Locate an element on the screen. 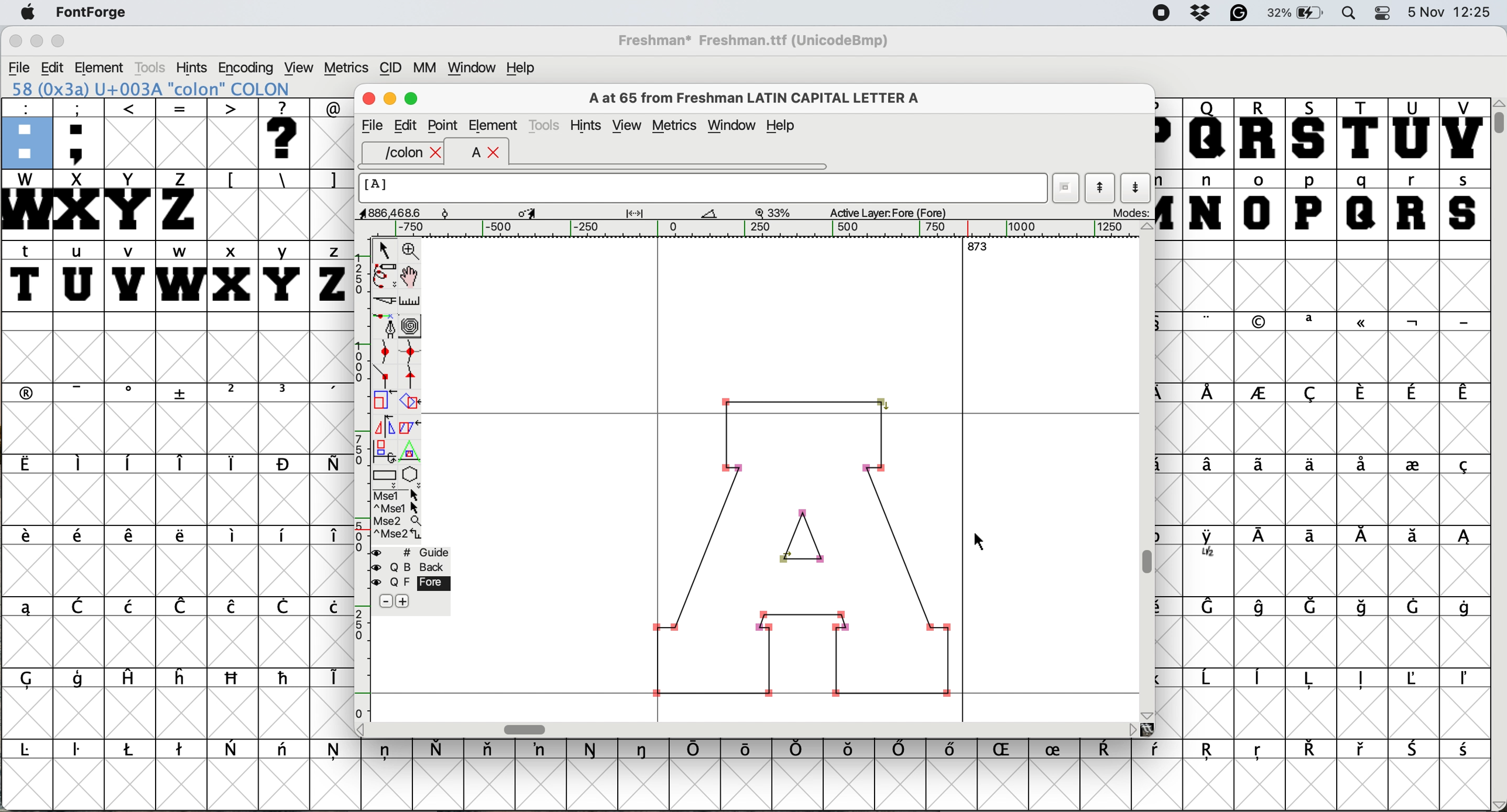 This screenshot has width=1507, height=812. metrics is located at coordinates (345, 67).